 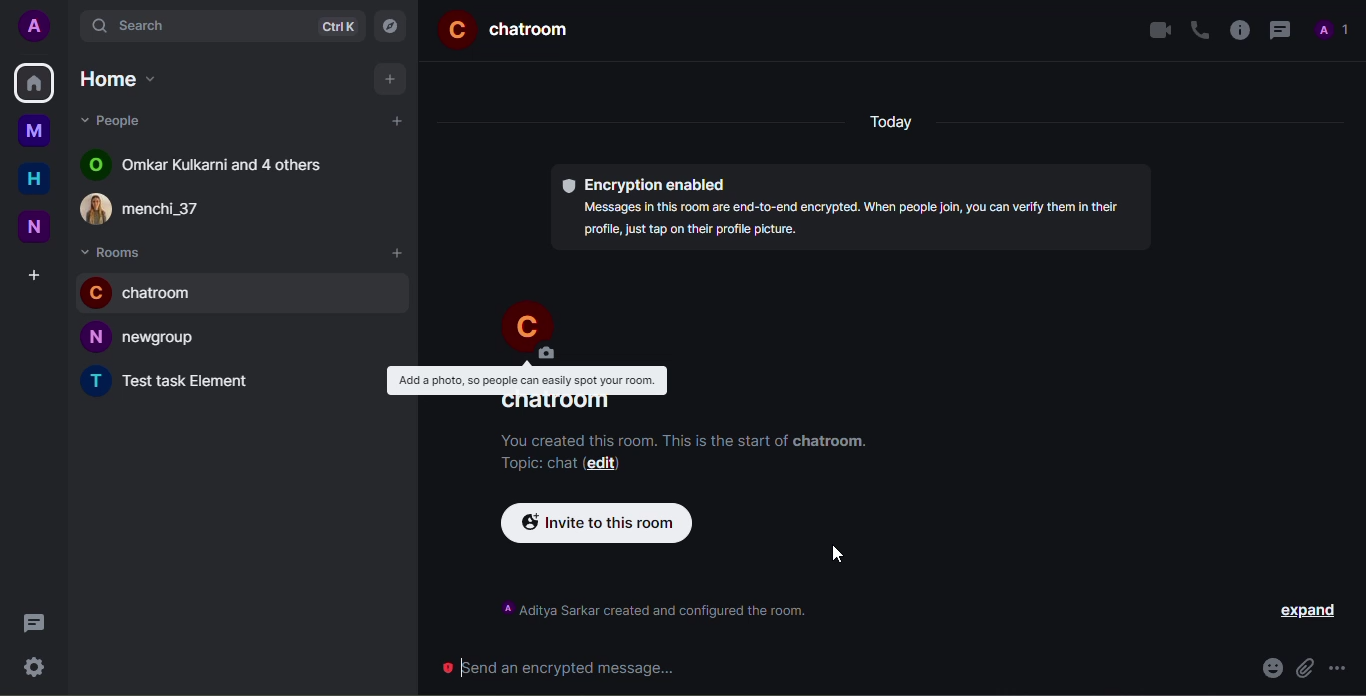 I want to click on cursor, so click(x=836, y=555).